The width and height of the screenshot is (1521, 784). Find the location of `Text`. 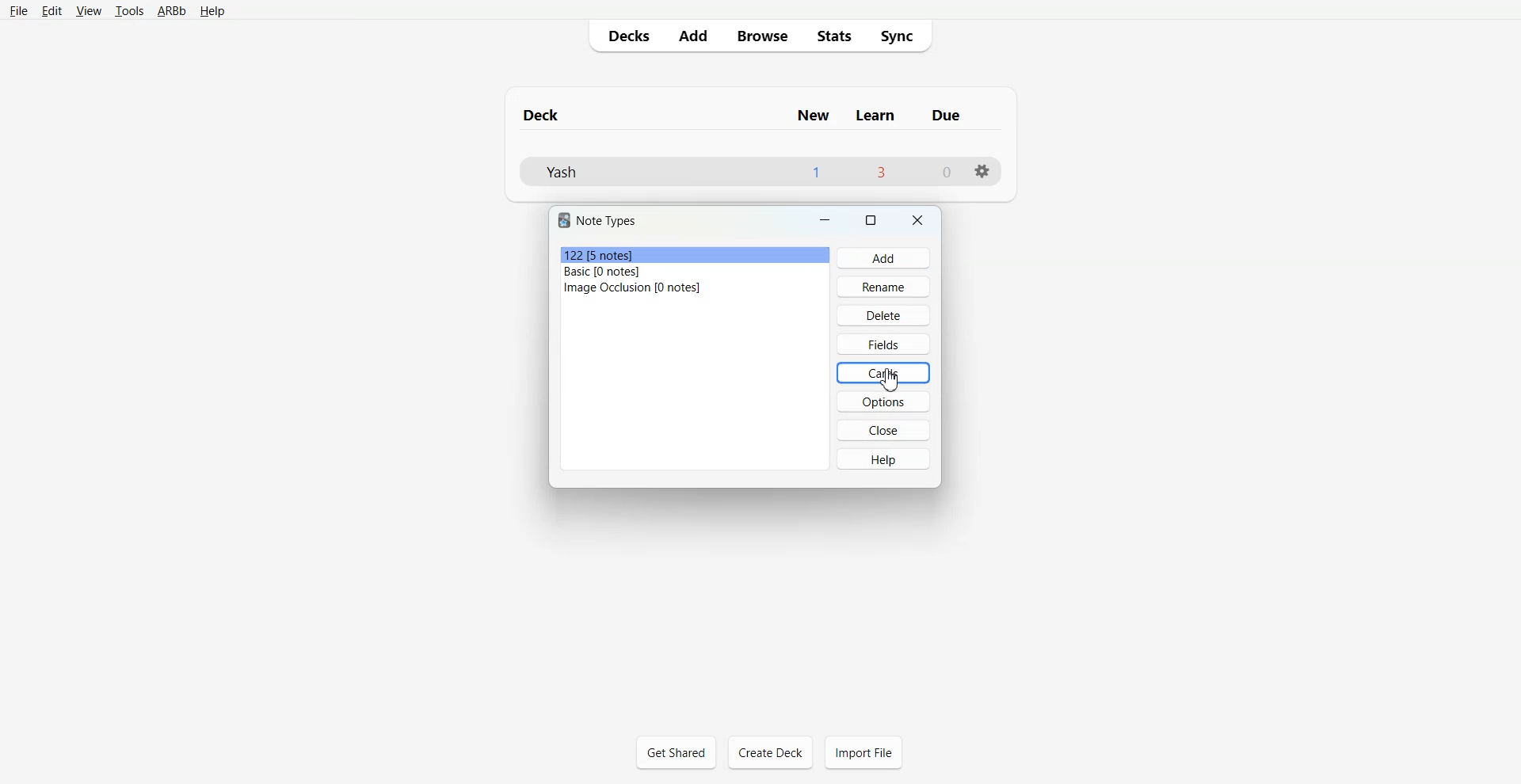

Text is located at coordinates (597, 221).